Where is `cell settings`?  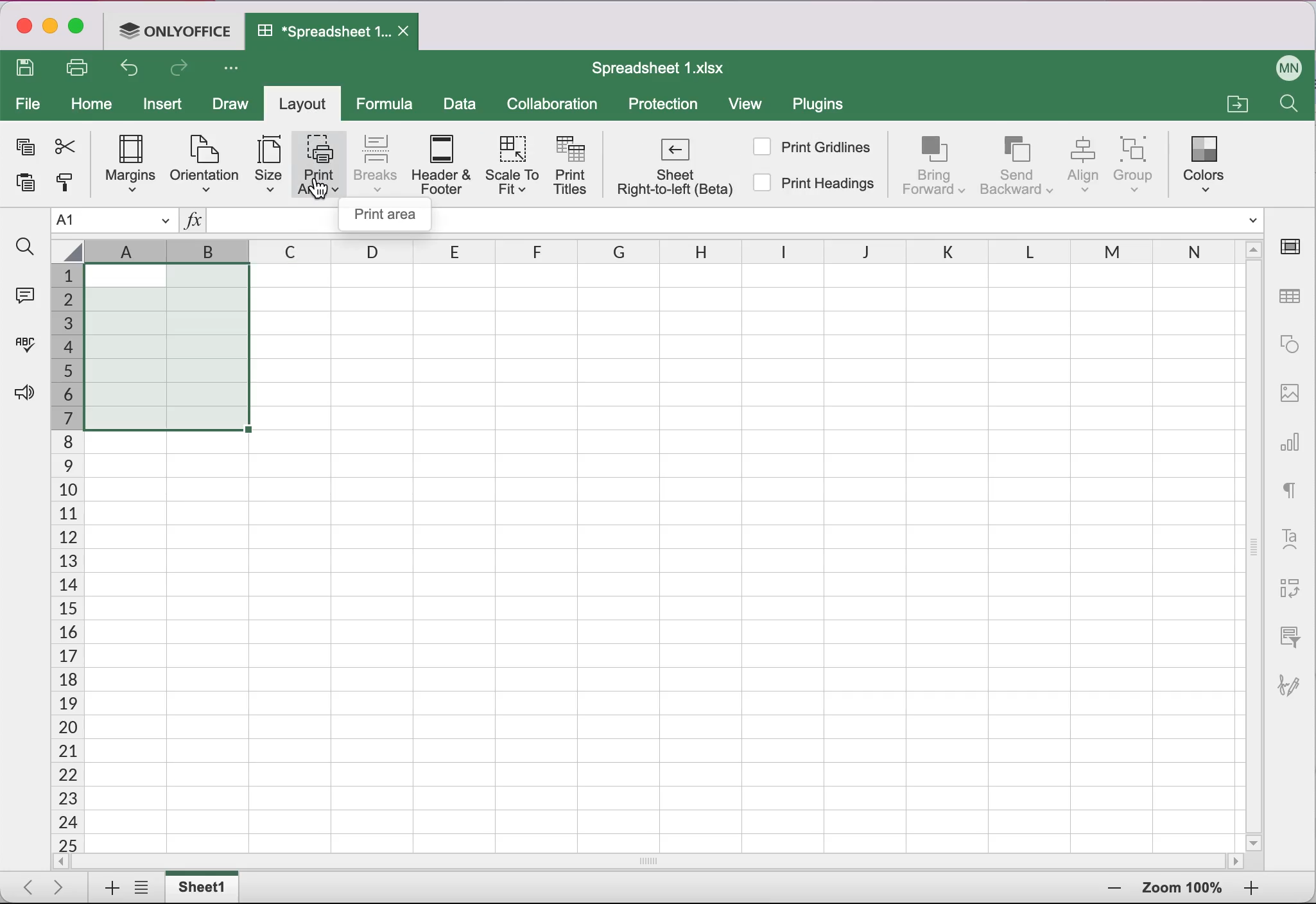
cell settings is located at coordinates (1295, 247).